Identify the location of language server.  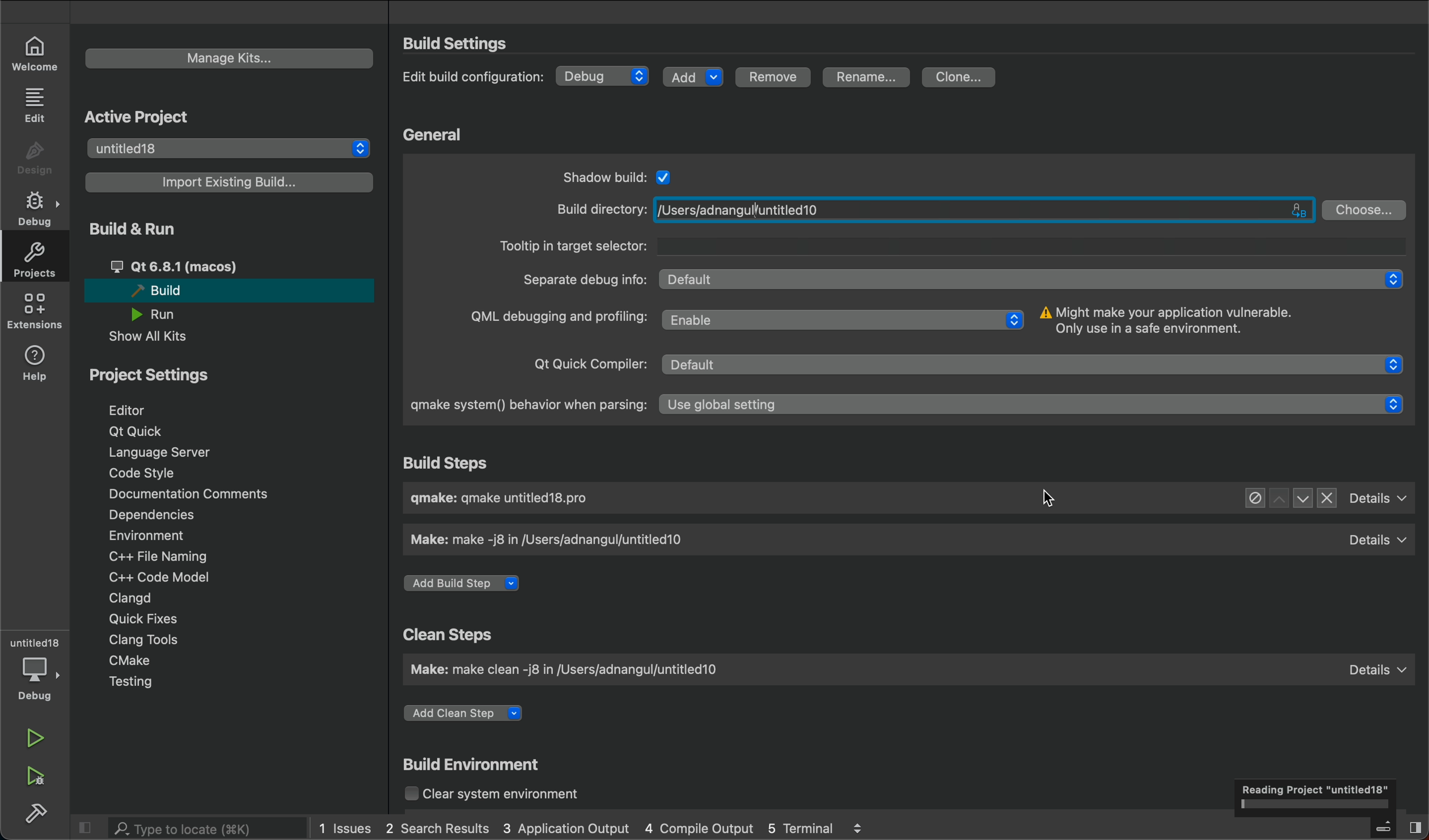
(167, 454).